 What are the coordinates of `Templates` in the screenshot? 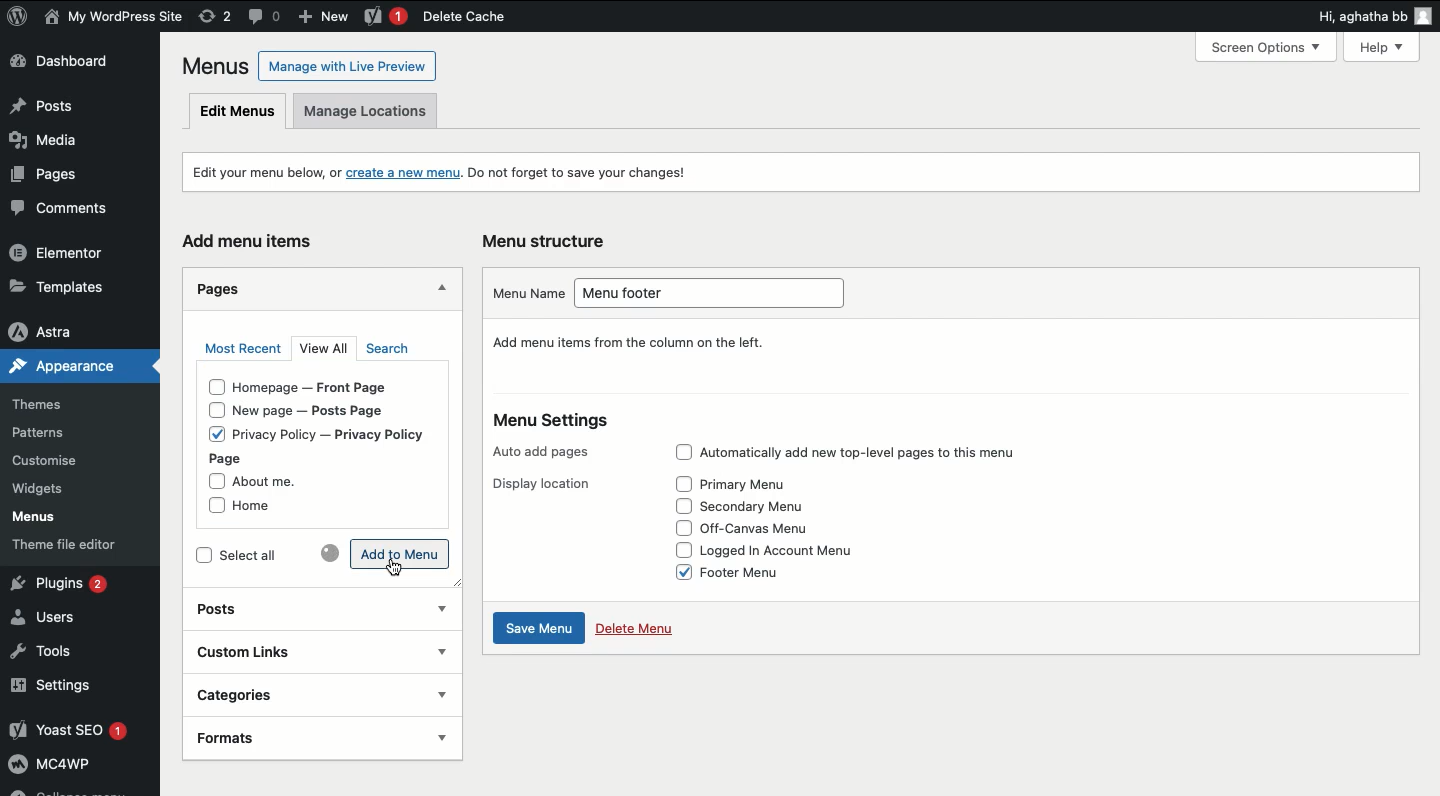 It's located at (70, 284).